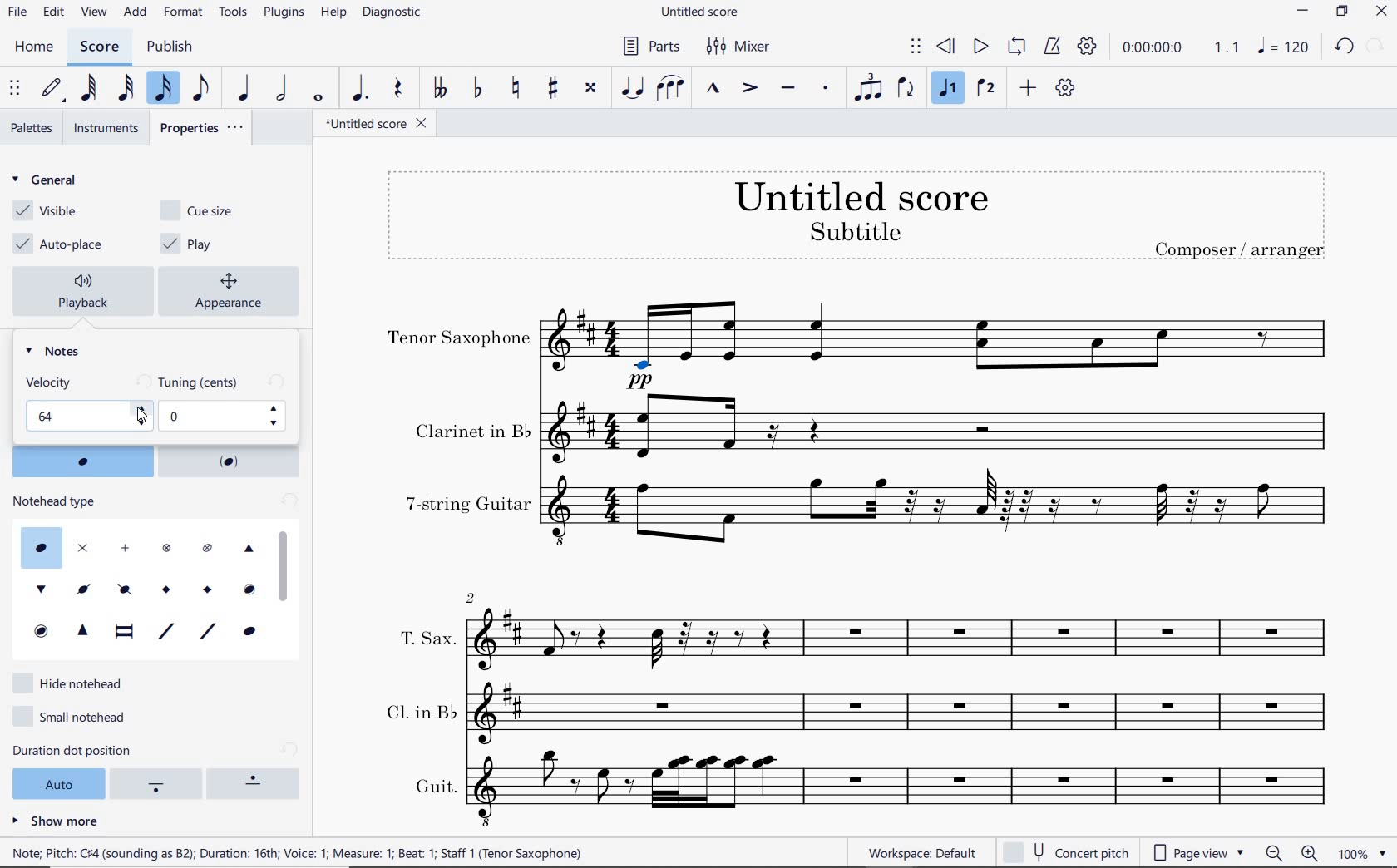 This screenshot has width=1397, height=868. What do you see at coordinates (141, 416) in the screenshot?
I see `cursor` at bounding box center [141, 416].